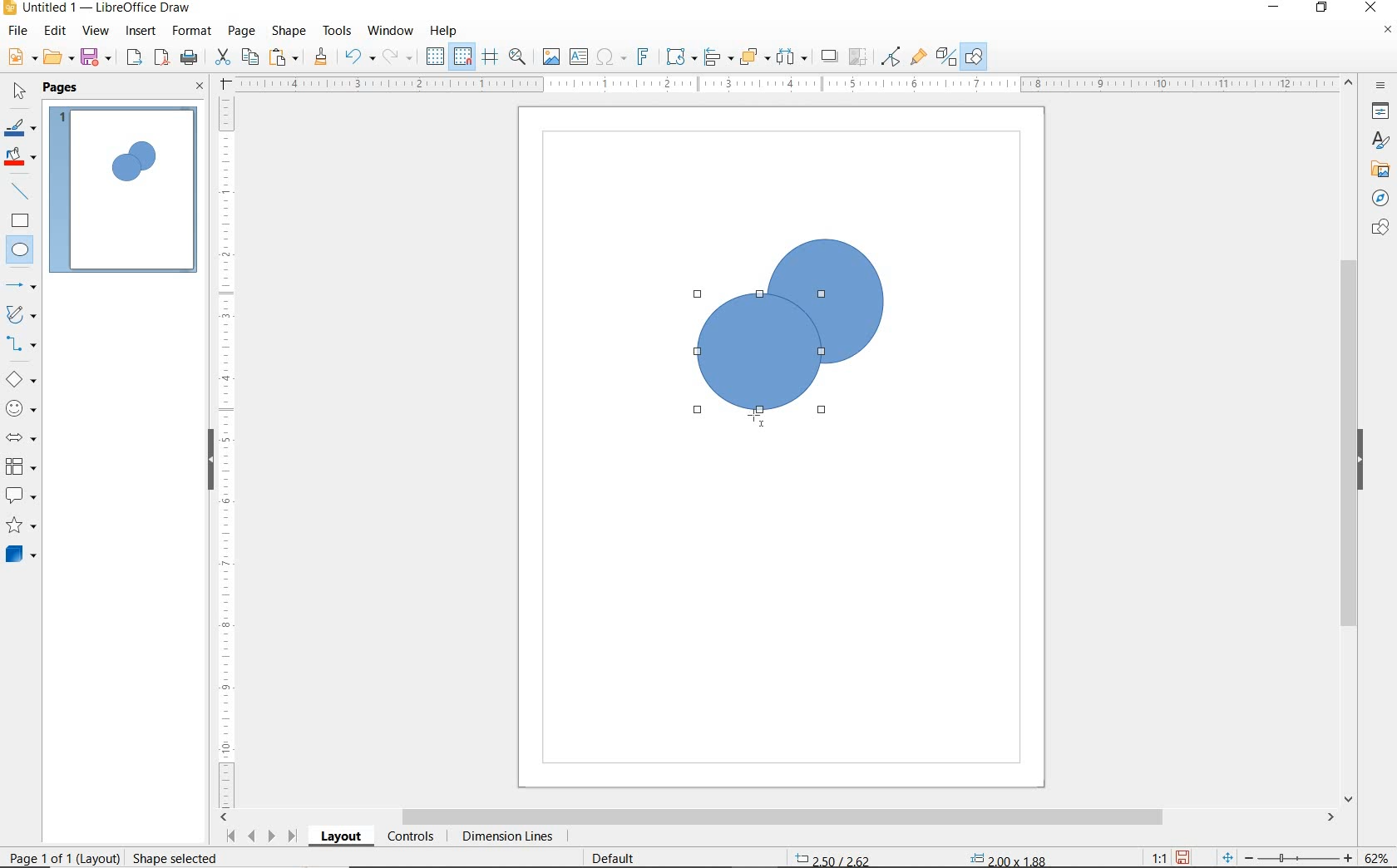  I want to click on SCROLLBAR, so click(778, 818).